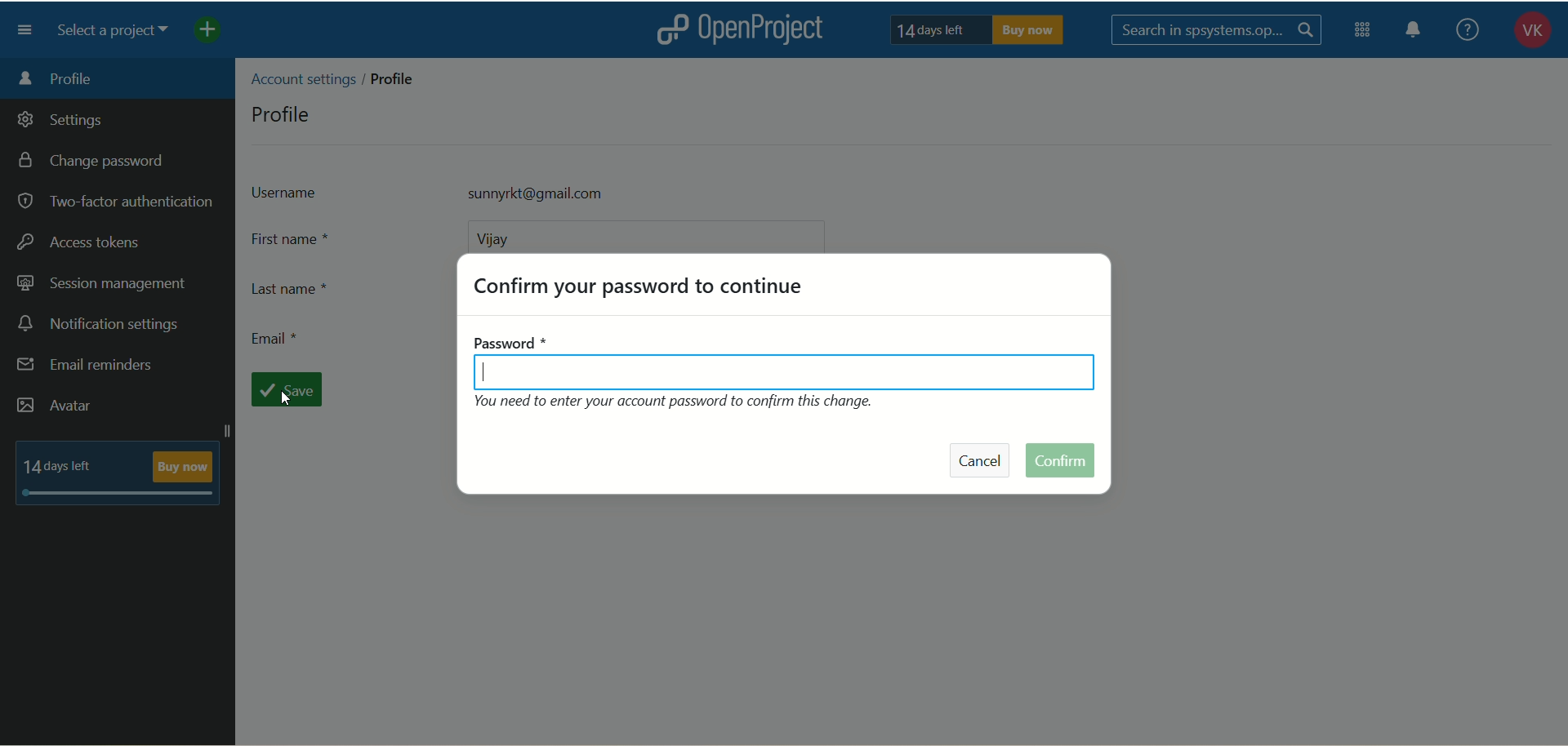 The width and height of the screenshot is (1568, 746). What do you see at coordinates (982, 459) in the screenshot?
I see `cancel` at bounding box center [982, 459].